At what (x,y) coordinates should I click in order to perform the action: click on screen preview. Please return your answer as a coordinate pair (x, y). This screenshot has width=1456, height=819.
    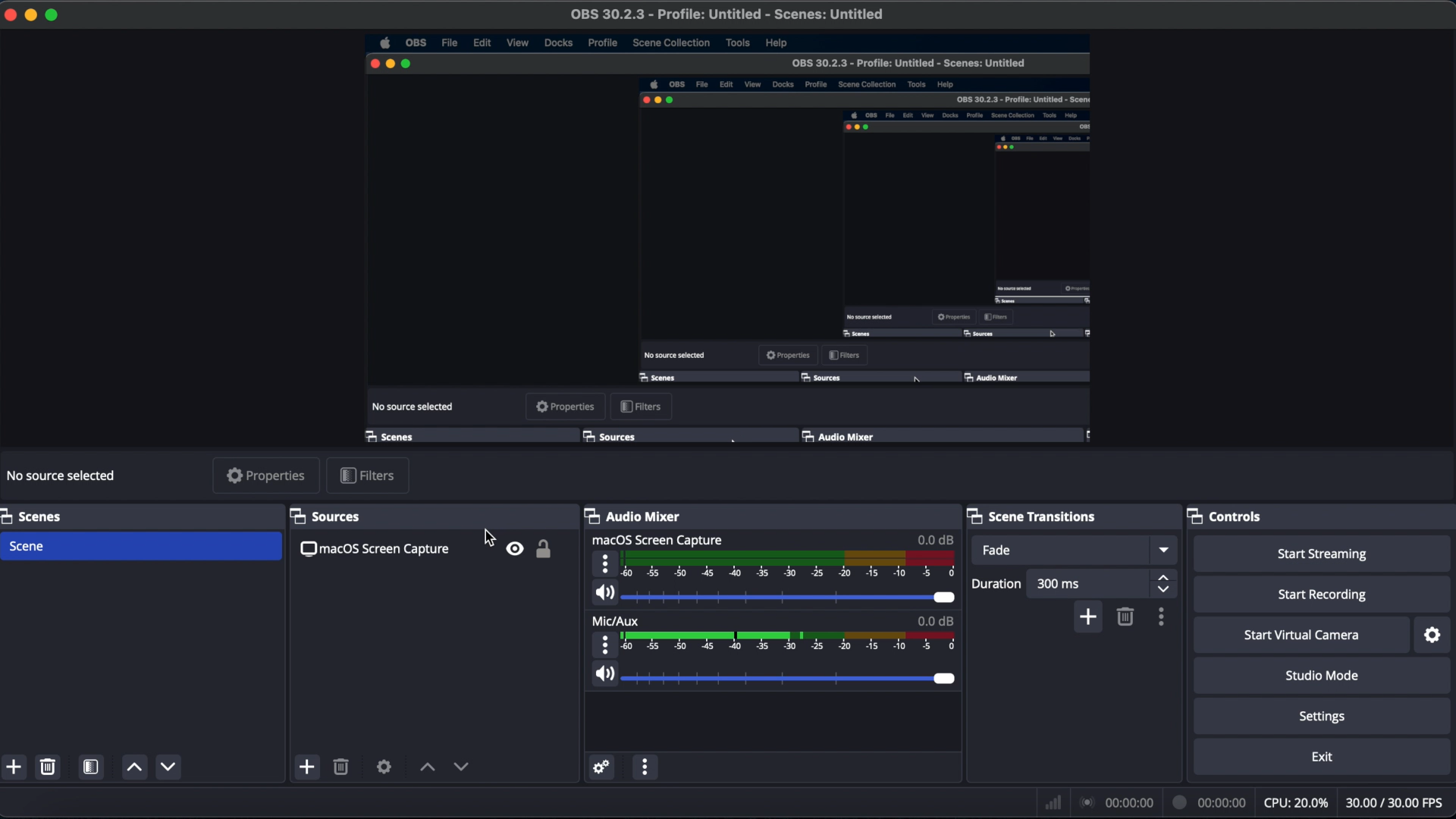
    Looking at the image, I should click on (729, 240).